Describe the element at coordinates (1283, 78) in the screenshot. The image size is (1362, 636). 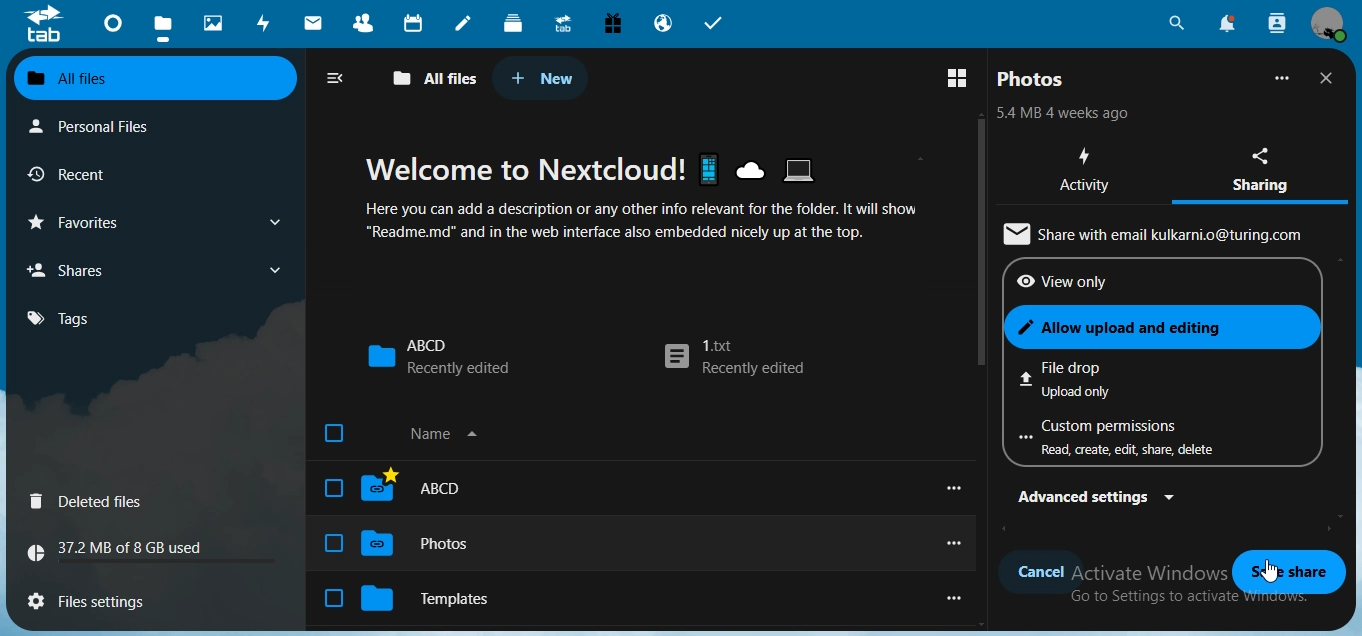
I see `...` at that location.